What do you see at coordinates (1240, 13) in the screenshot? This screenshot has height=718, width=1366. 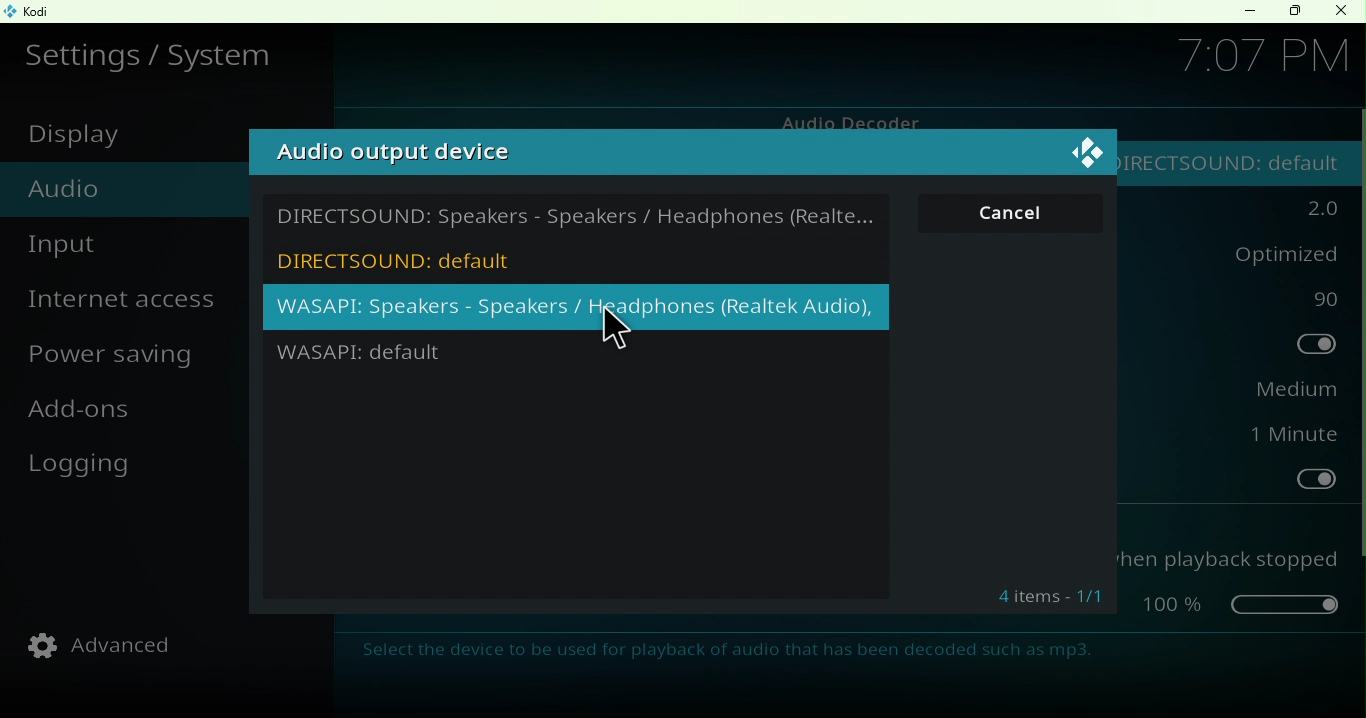 I see `Minimize` at bounding box center [1240, 13].